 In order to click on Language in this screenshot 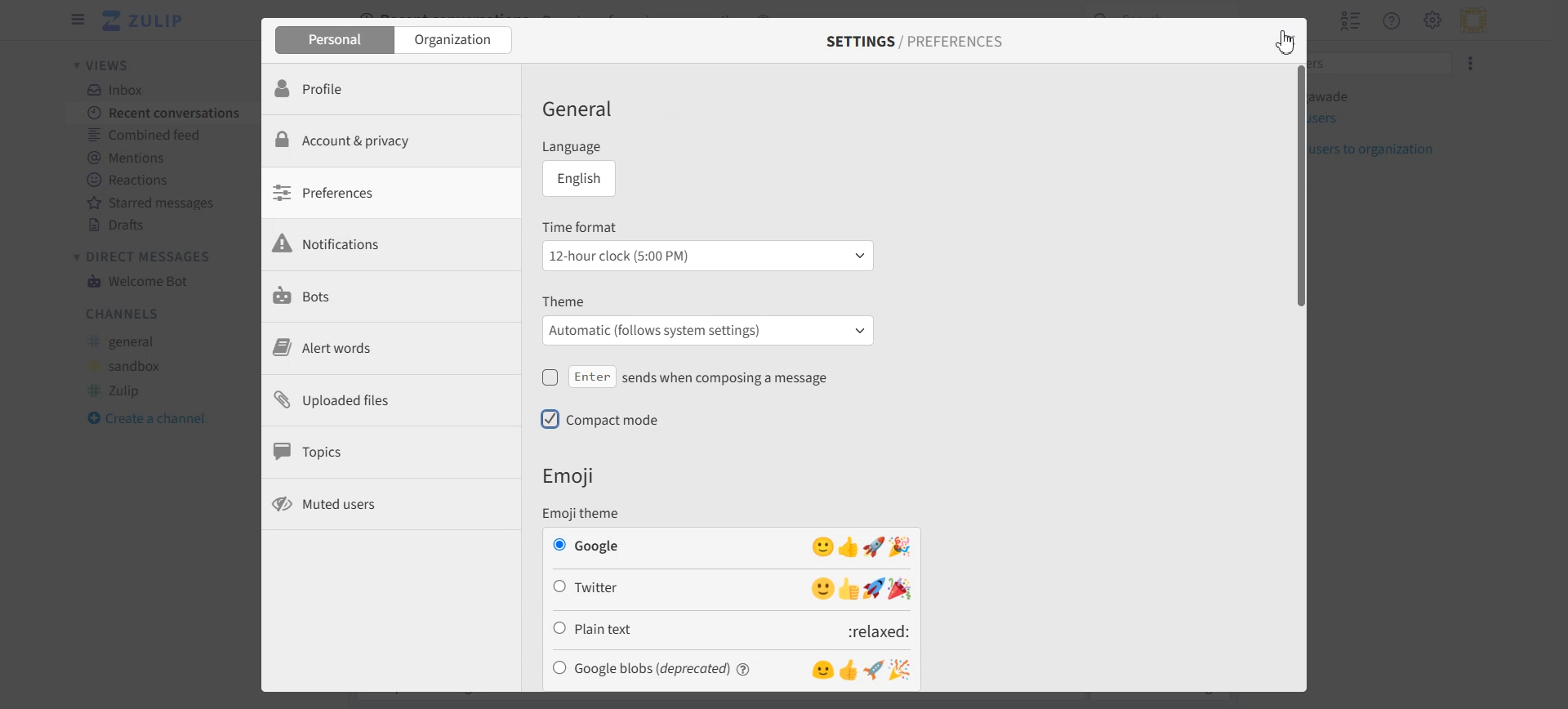, I will do `click(629, 145)`.